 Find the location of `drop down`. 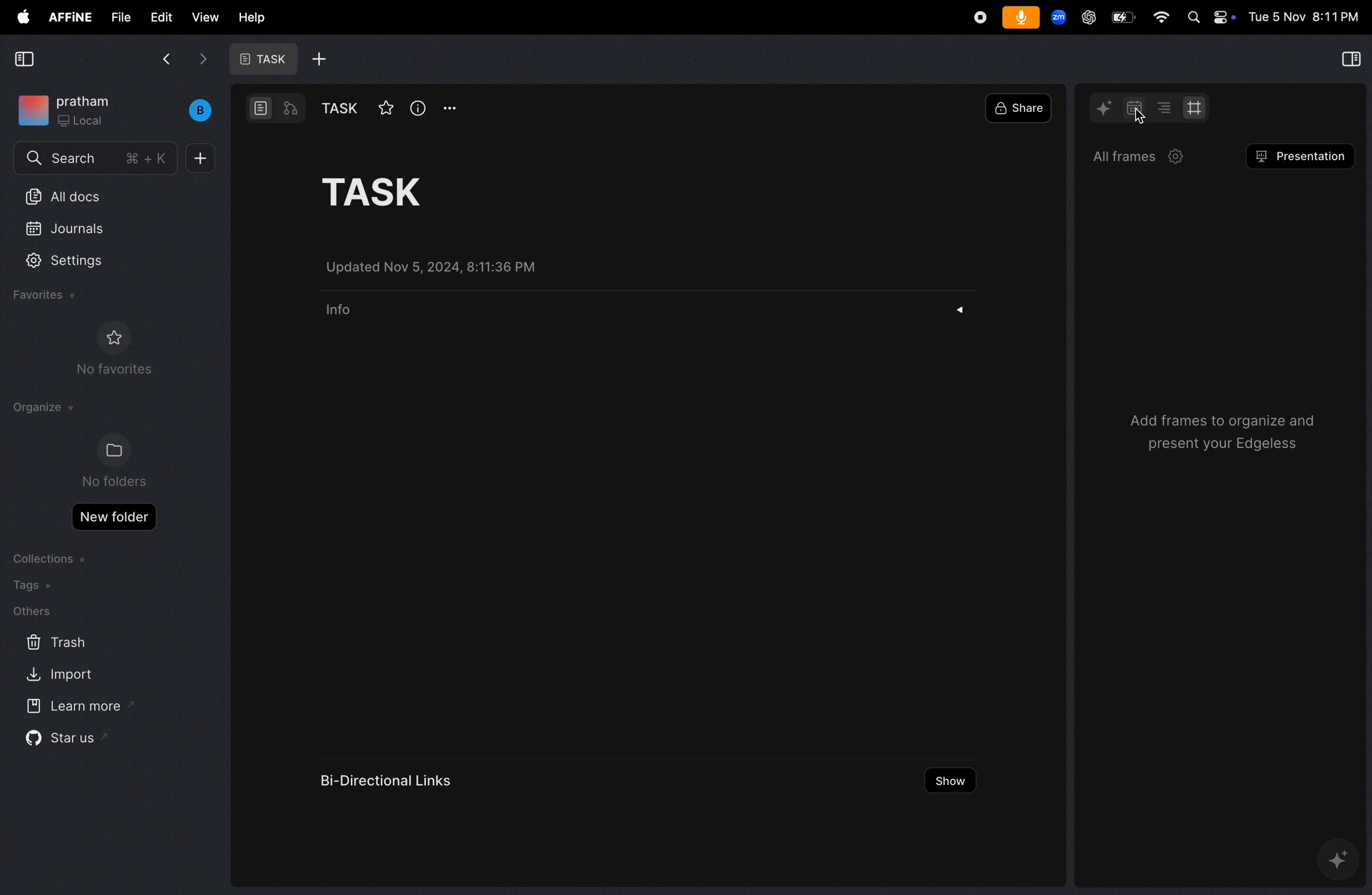

drop down is located at coordinates (965, 311).